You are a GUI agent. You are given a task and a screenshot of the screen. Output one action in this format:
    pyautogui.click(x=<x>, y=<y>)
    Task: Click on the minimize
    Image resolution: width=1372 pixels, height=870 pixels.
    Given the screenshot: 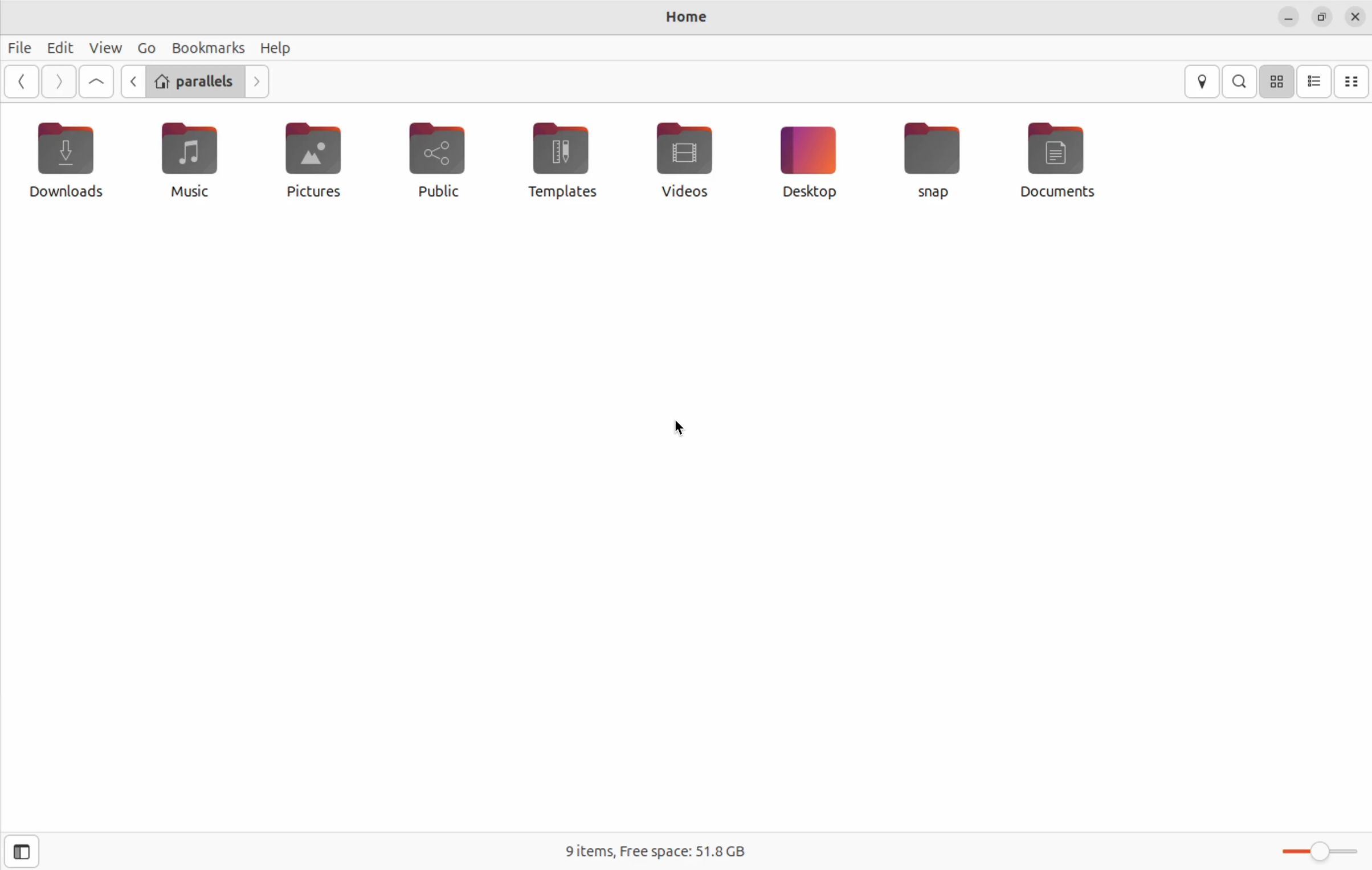 What is the action you would take?
    pyautogui.click(x=1289, y=17)
    